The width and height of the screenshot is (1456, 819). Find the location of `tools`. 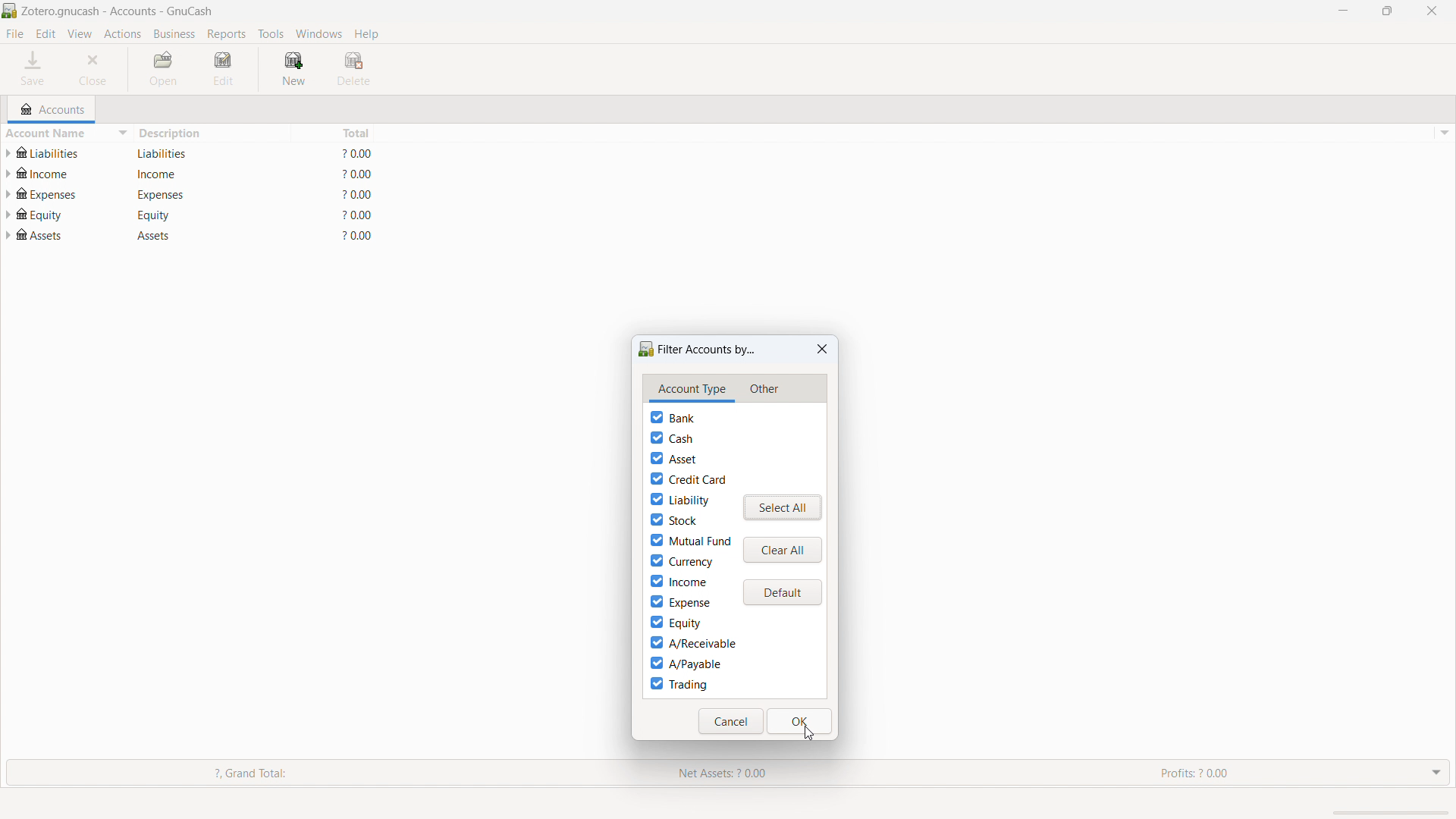

tools is located at coordinates (271, 33).